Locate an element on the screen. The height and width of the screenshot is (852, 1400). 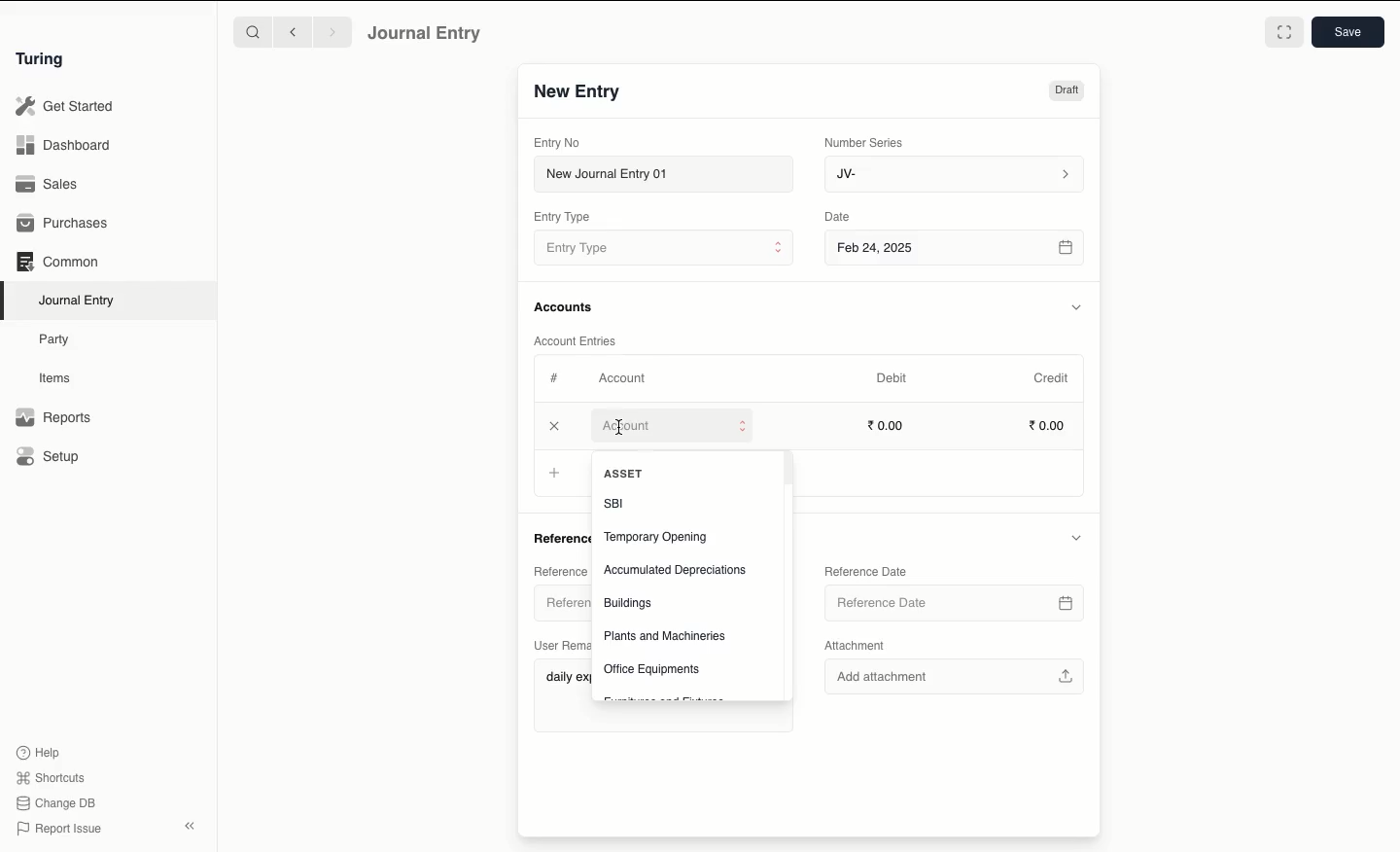
Purchases is located at coordinates (63, 225).